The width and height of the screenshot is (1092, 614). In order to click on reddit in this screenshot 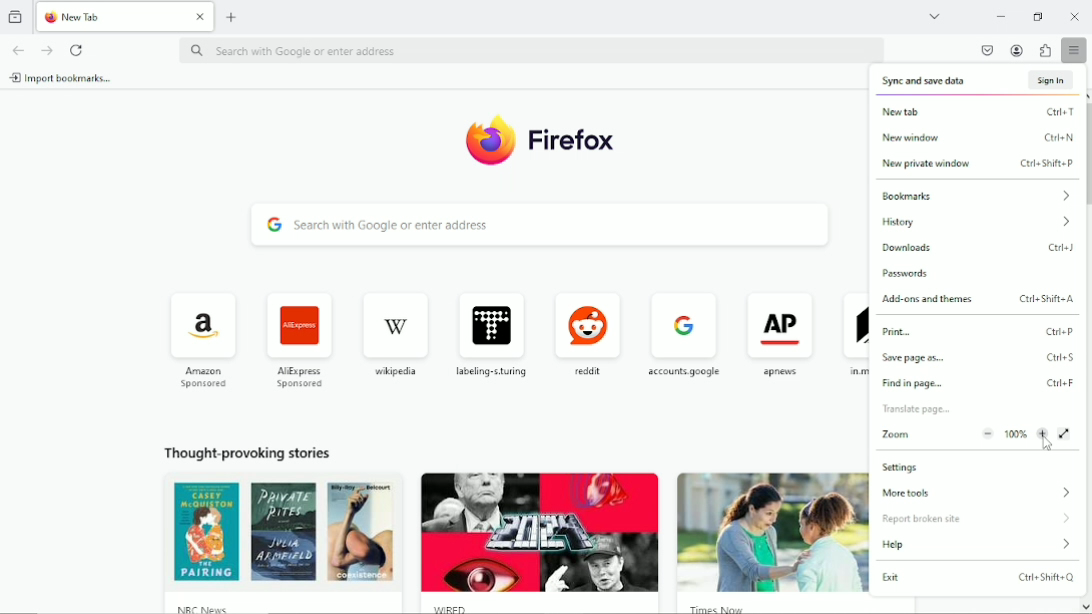, I will do `click(589, 330)`.